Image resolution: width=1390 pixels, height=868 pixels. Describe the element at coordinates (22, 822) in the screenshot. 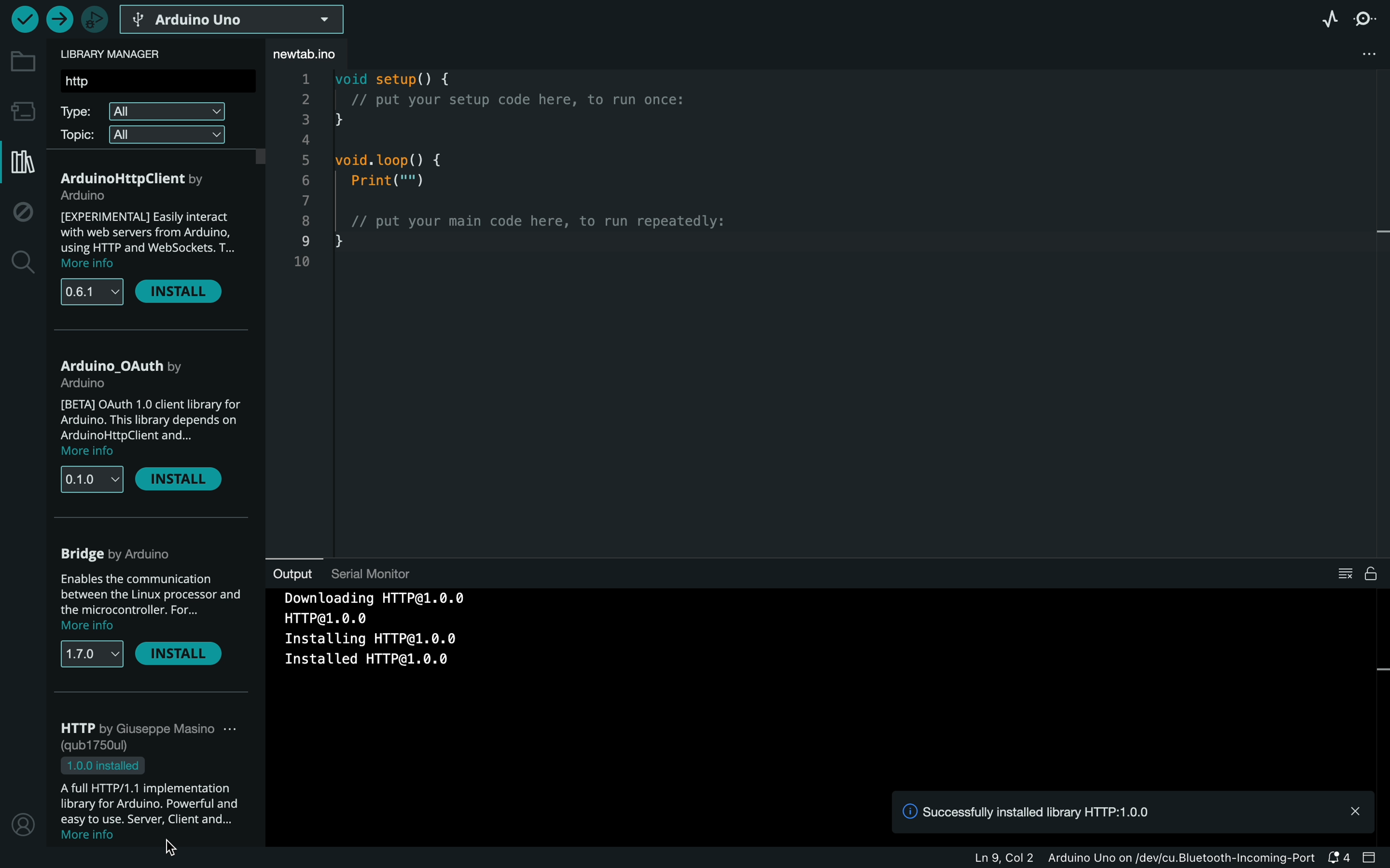

I see `profile` at that location.